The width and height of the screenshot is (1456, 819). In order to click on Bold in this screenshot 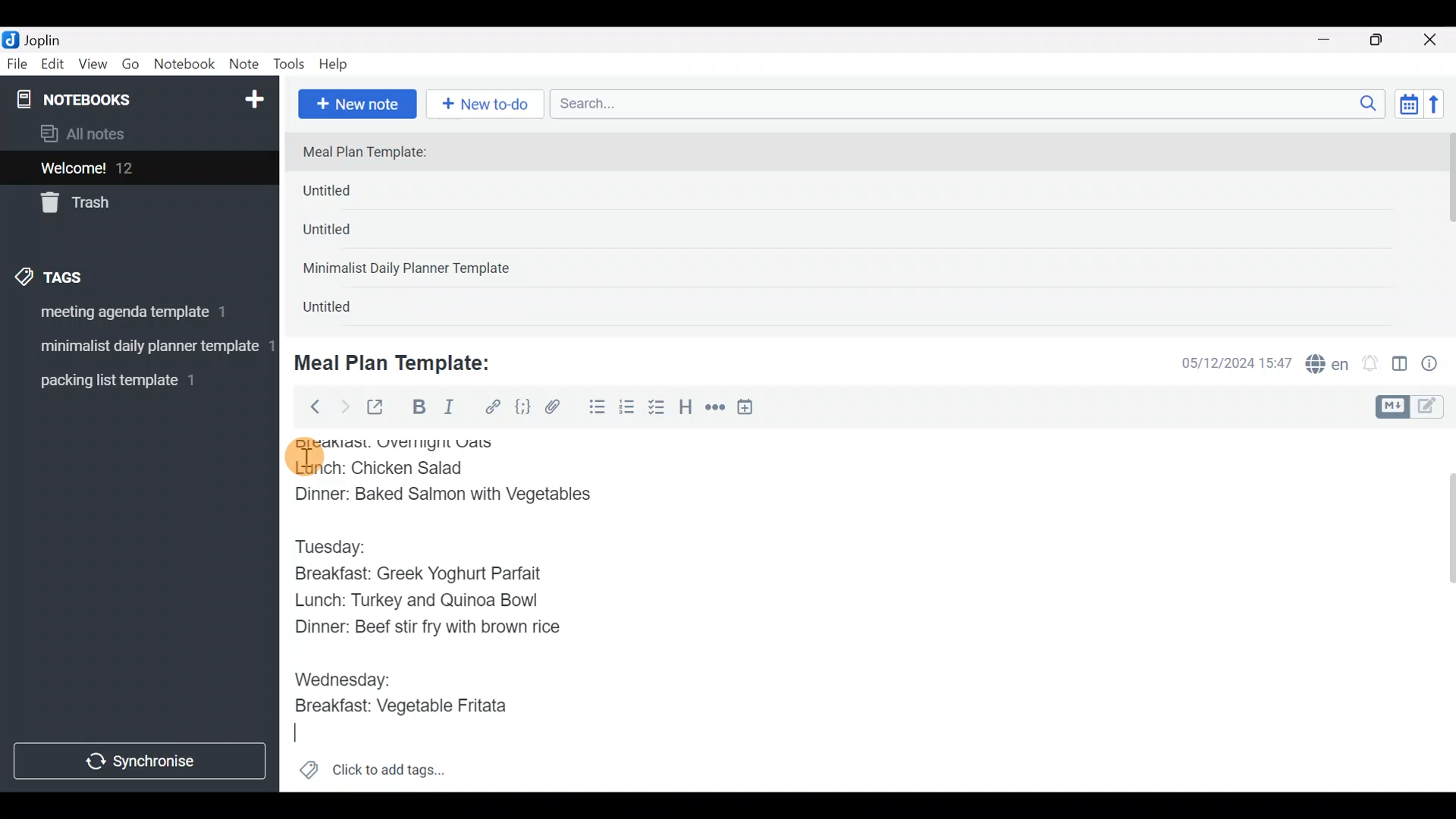, I will do `click(418, 409)`.